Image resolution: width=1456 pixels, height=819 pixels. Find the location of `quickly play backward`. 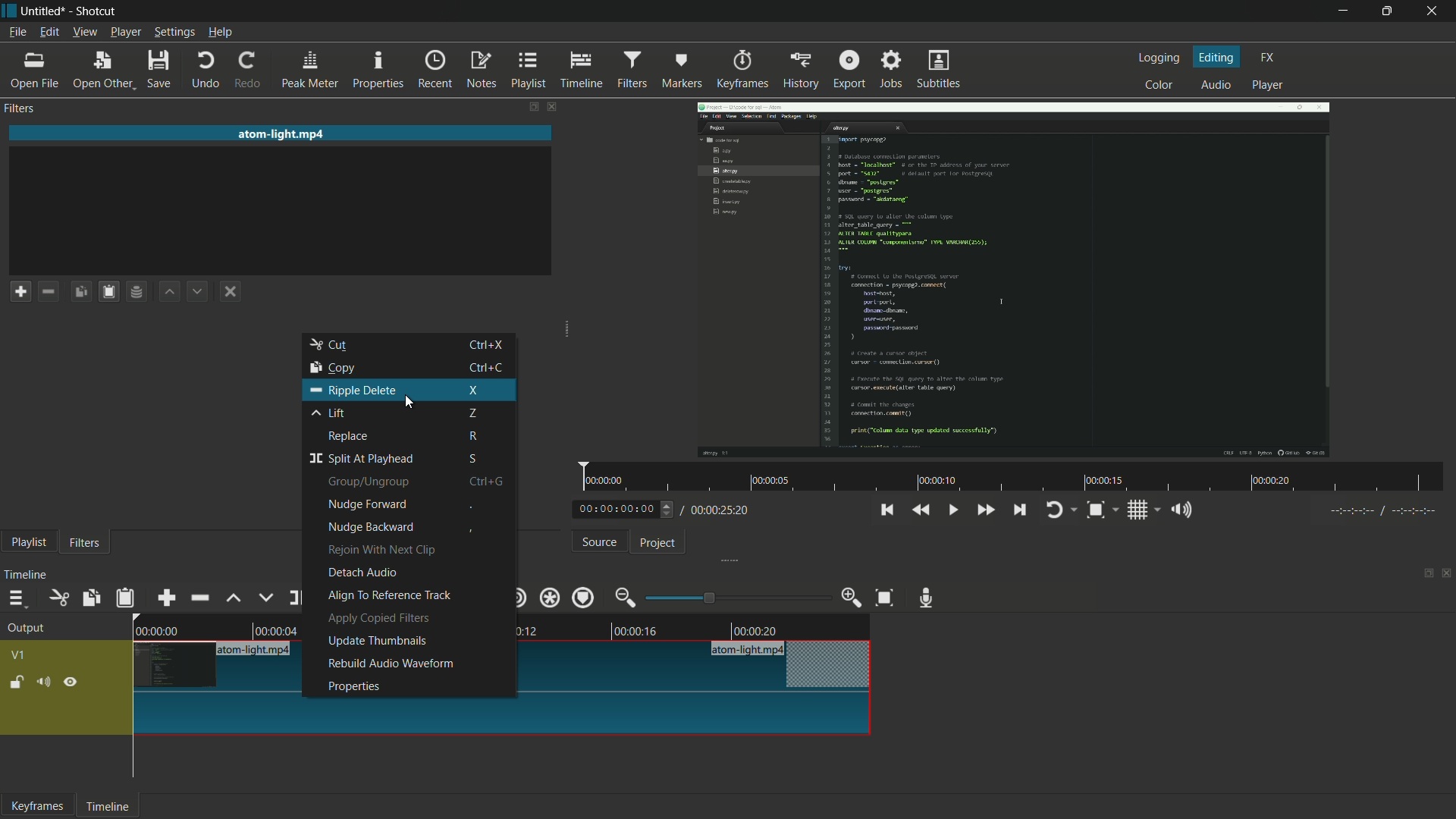

quickly play backward is located at coordinates (921, 510).